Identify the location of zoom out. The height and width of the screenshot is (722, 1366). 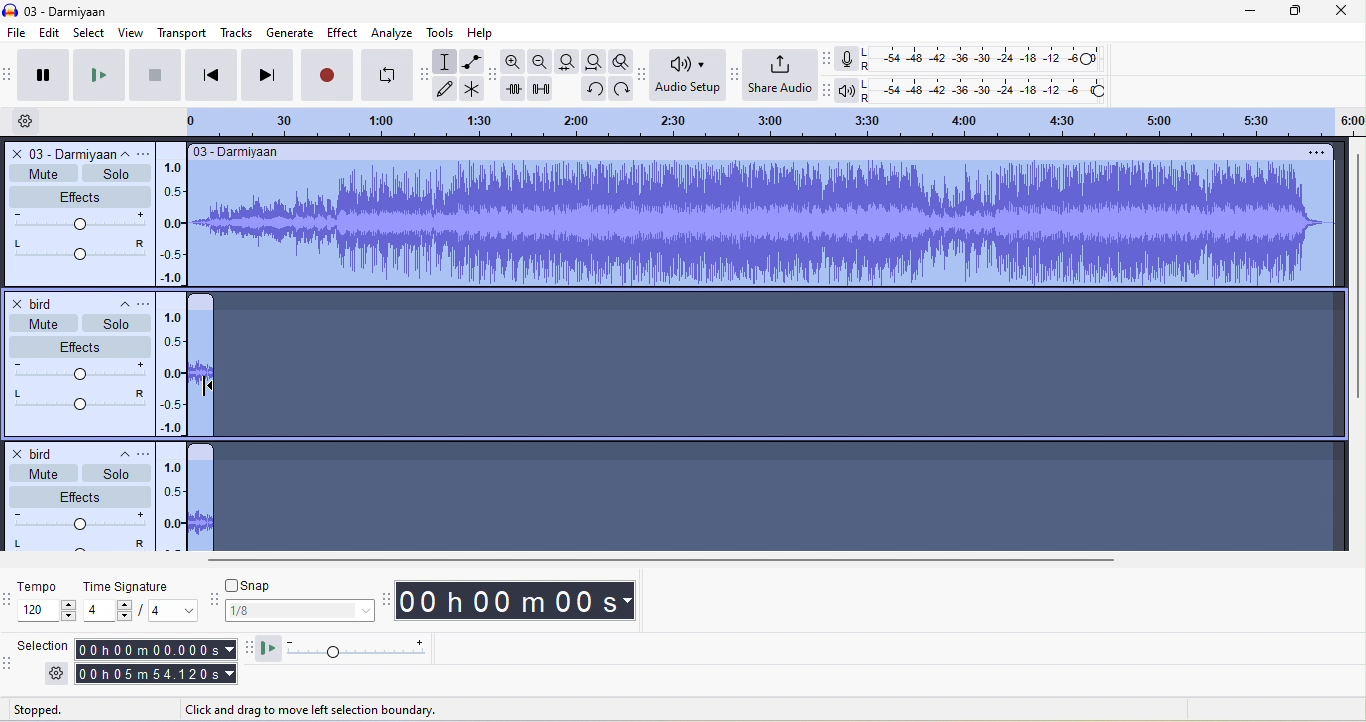
(542, 62).